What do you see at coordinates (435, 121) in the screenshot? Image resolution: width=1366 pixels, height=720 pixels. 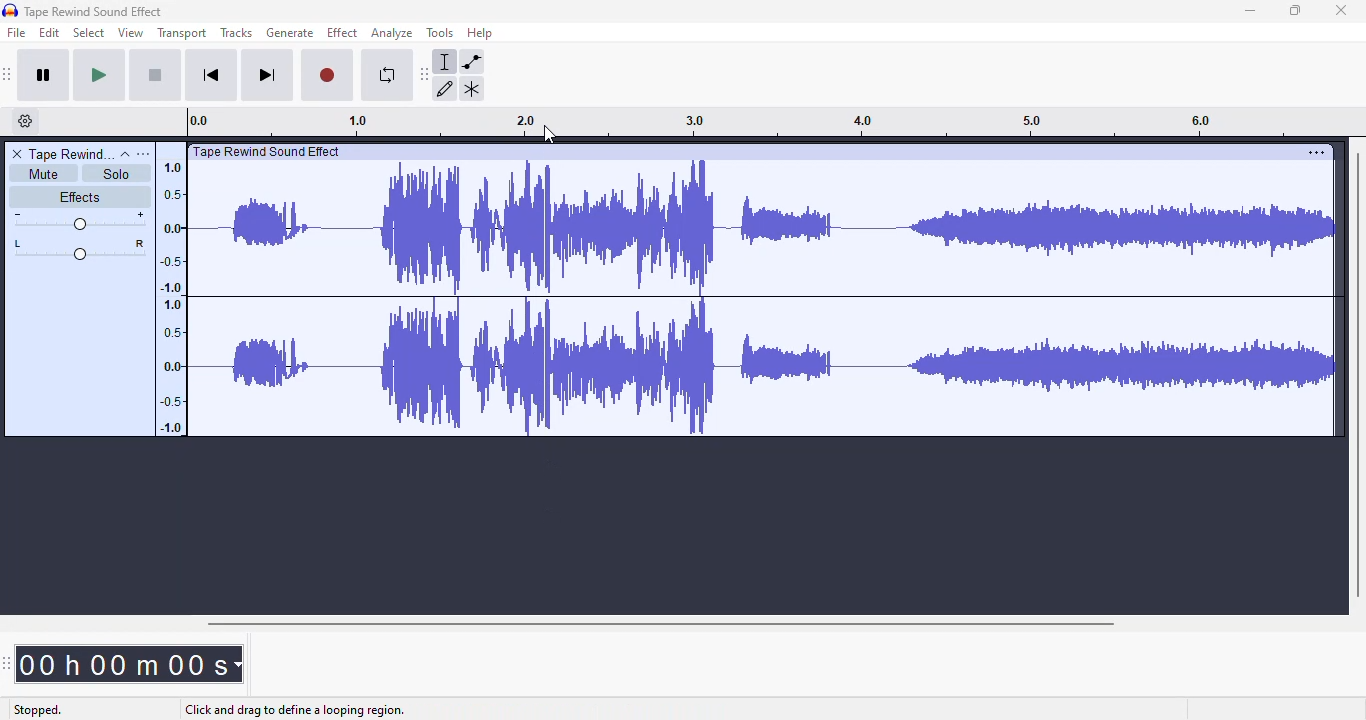 I see `0.0 1.0 2.0` at bounding box center [435, 121].